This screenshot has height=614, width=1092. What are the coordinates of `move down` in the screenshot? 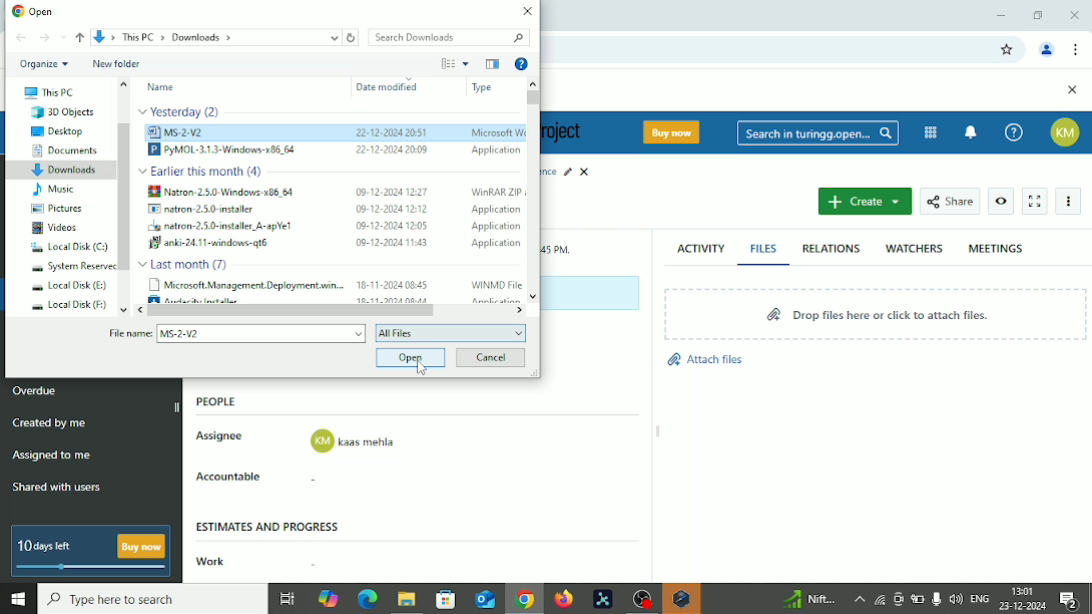 It's located at (534, 296).